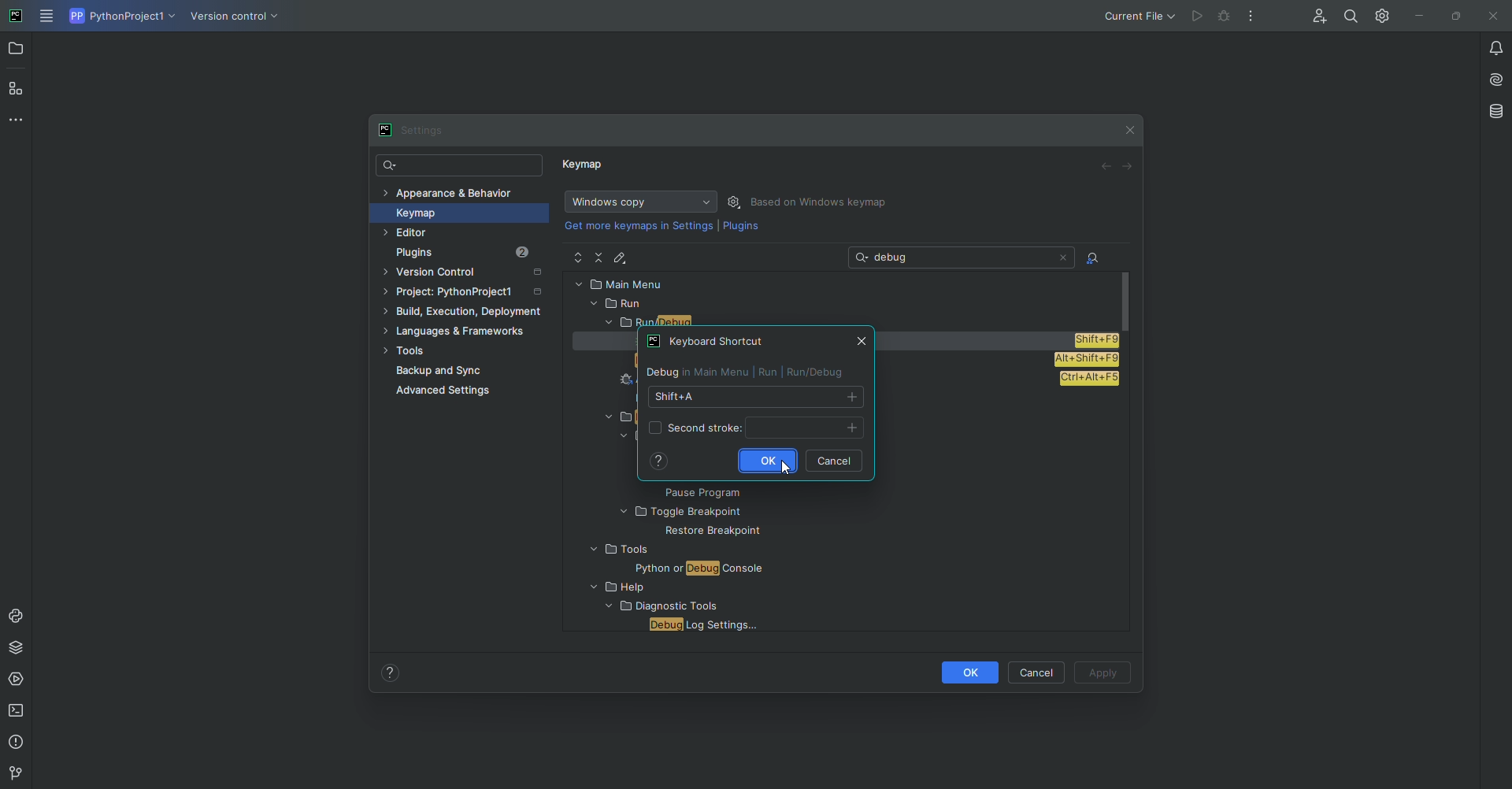  What do you see at coordinates (1085, 360) in the screenshot?
I see `shortcut` at bounding box center [1085, 360].